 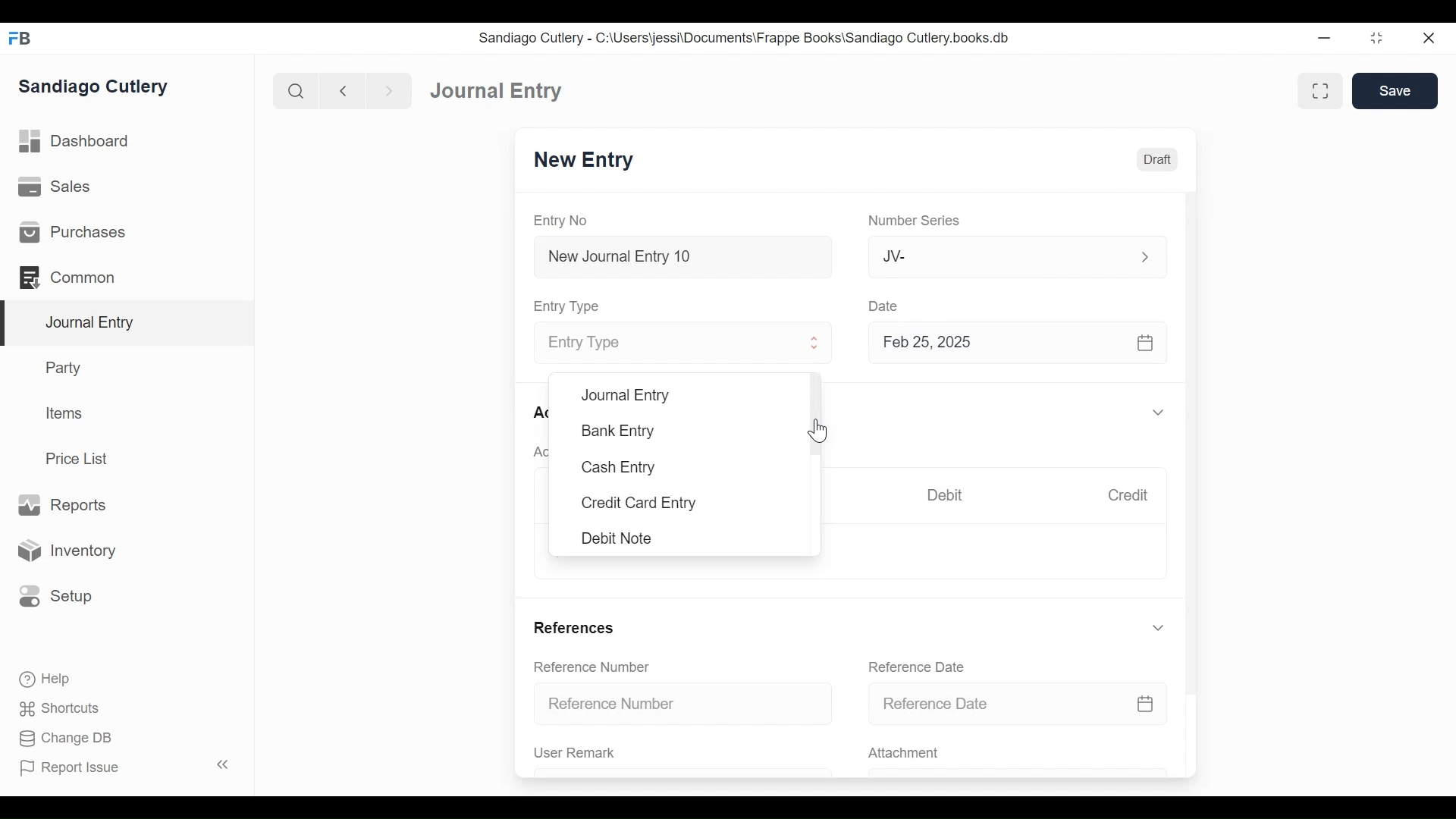 I want to click on Purchases, so click(x=73, y=233).